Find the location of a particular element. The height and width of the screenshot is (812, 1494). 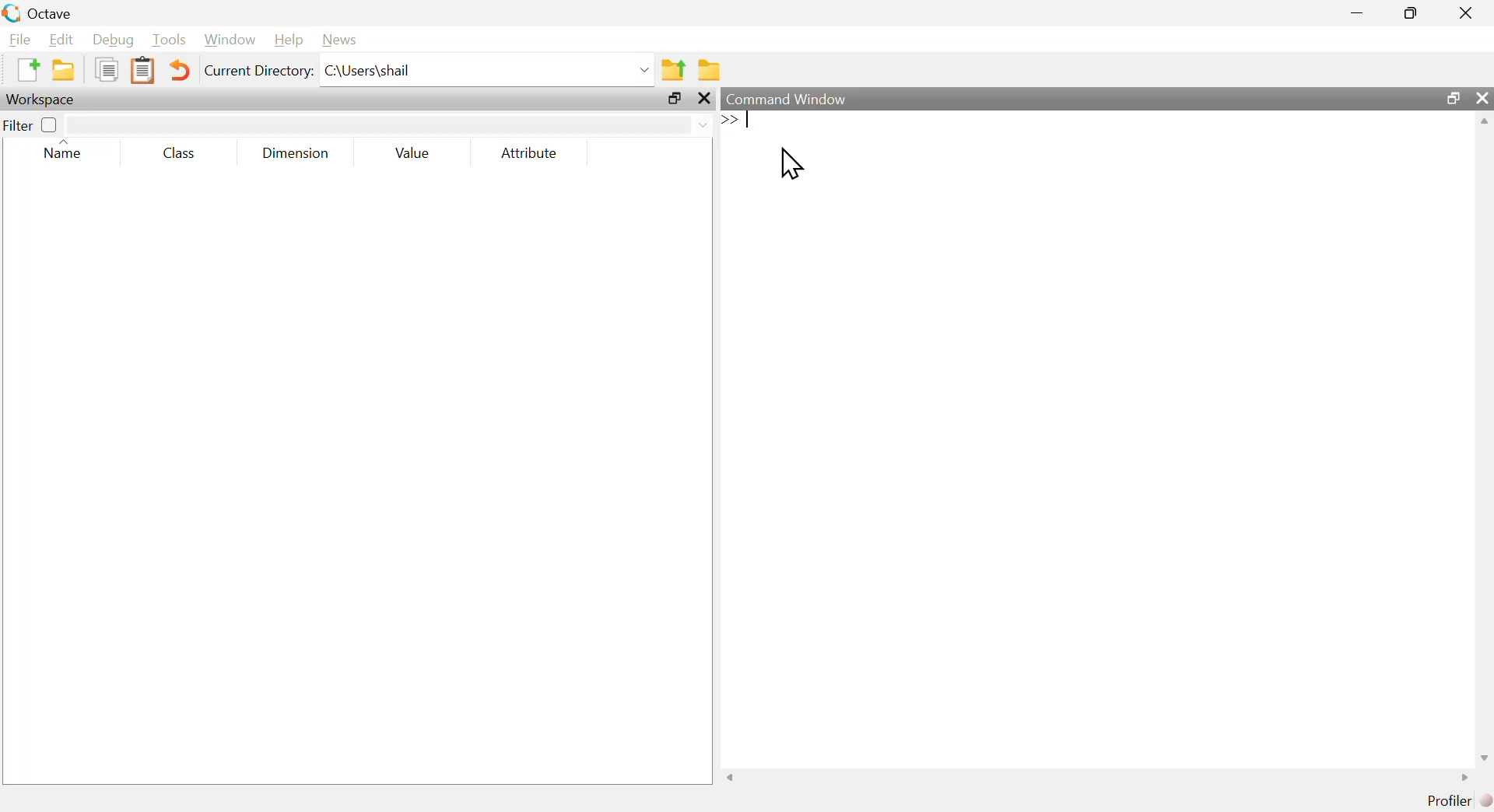

restore down is located at coordinates (1451, 100).